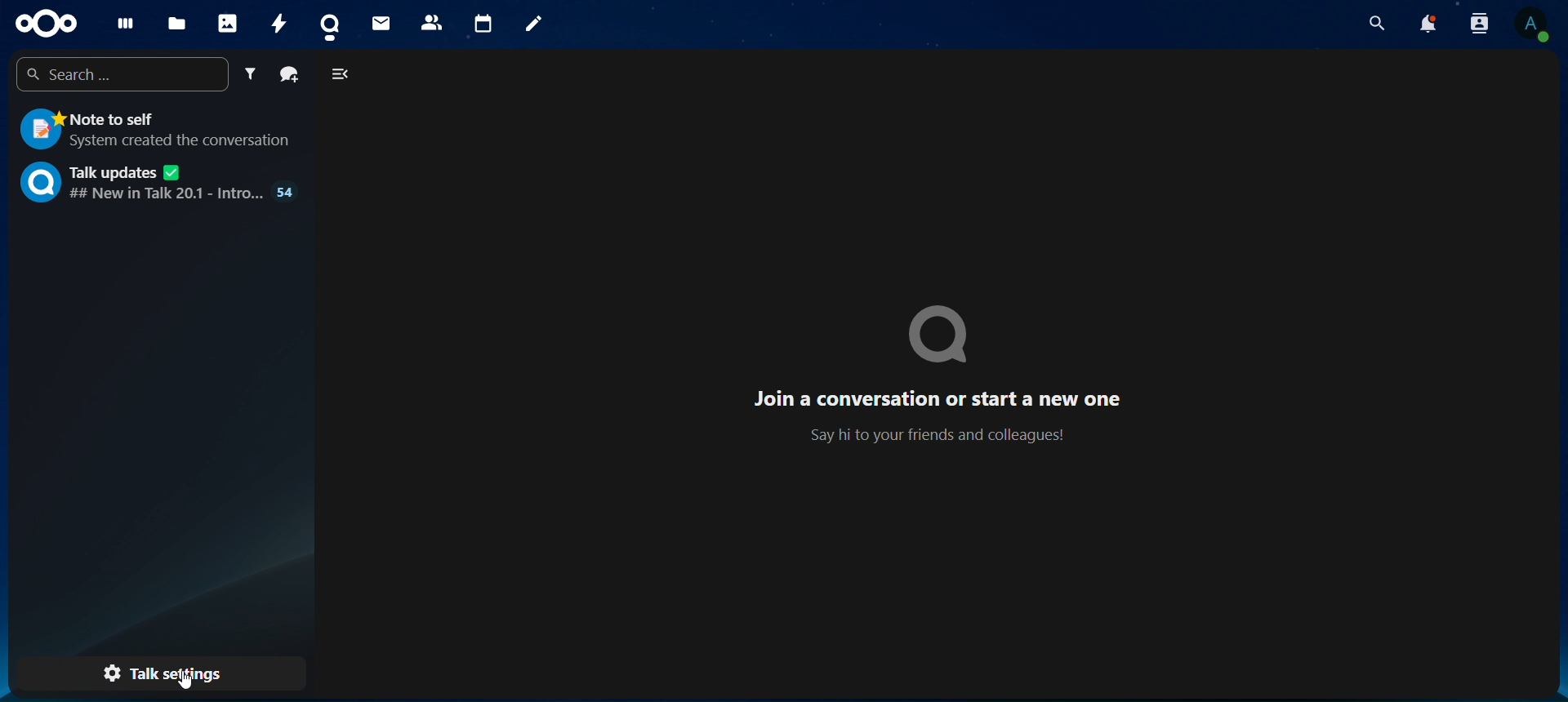 This screenshot has height=702, width=1568. What do you see at coordinates (541, 25) in the screenshot?
I see `notes` at bounding box center [541, 25].